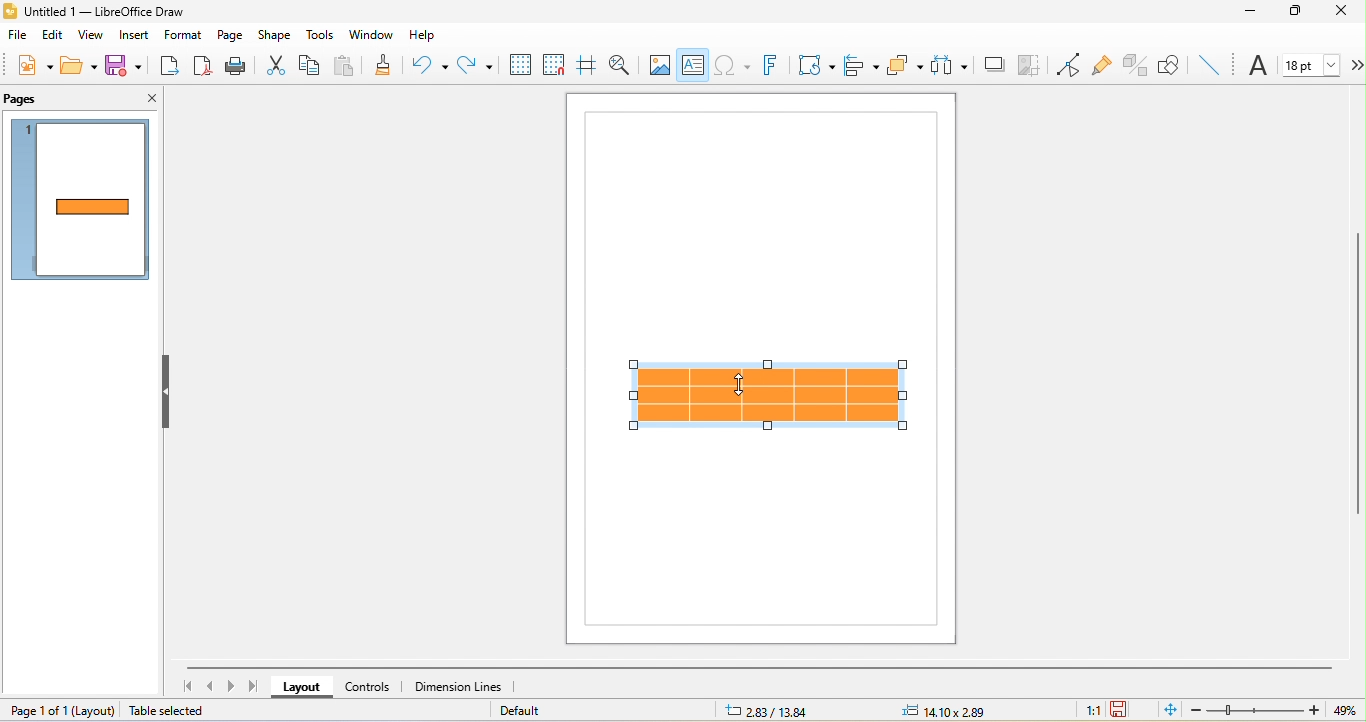  What do you see at coordinates (133, 37) in the screenshot?
I see `insert` at bounding box center [133, 37].